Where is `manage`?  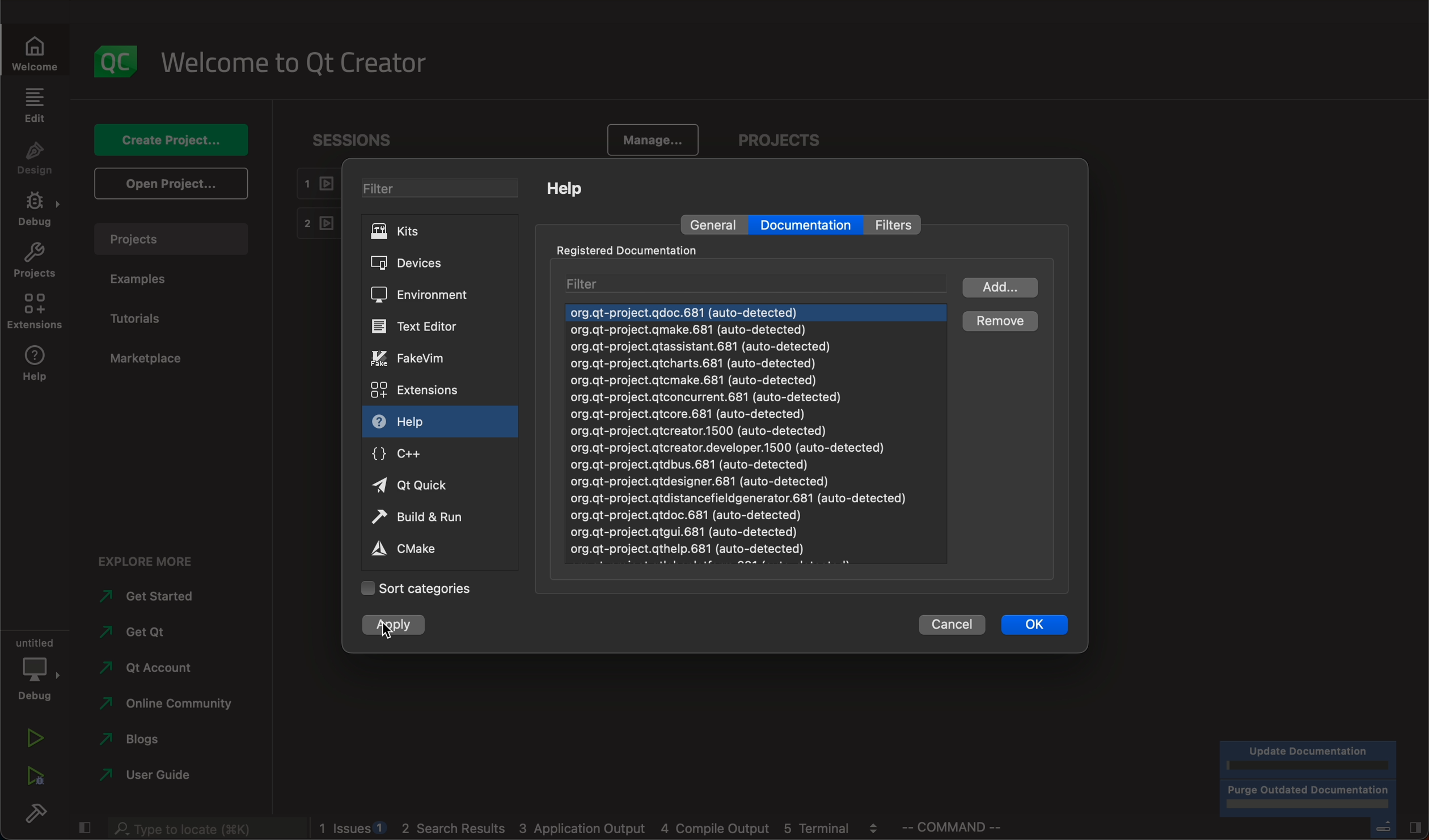
manage is located at coordinates (658, 141).